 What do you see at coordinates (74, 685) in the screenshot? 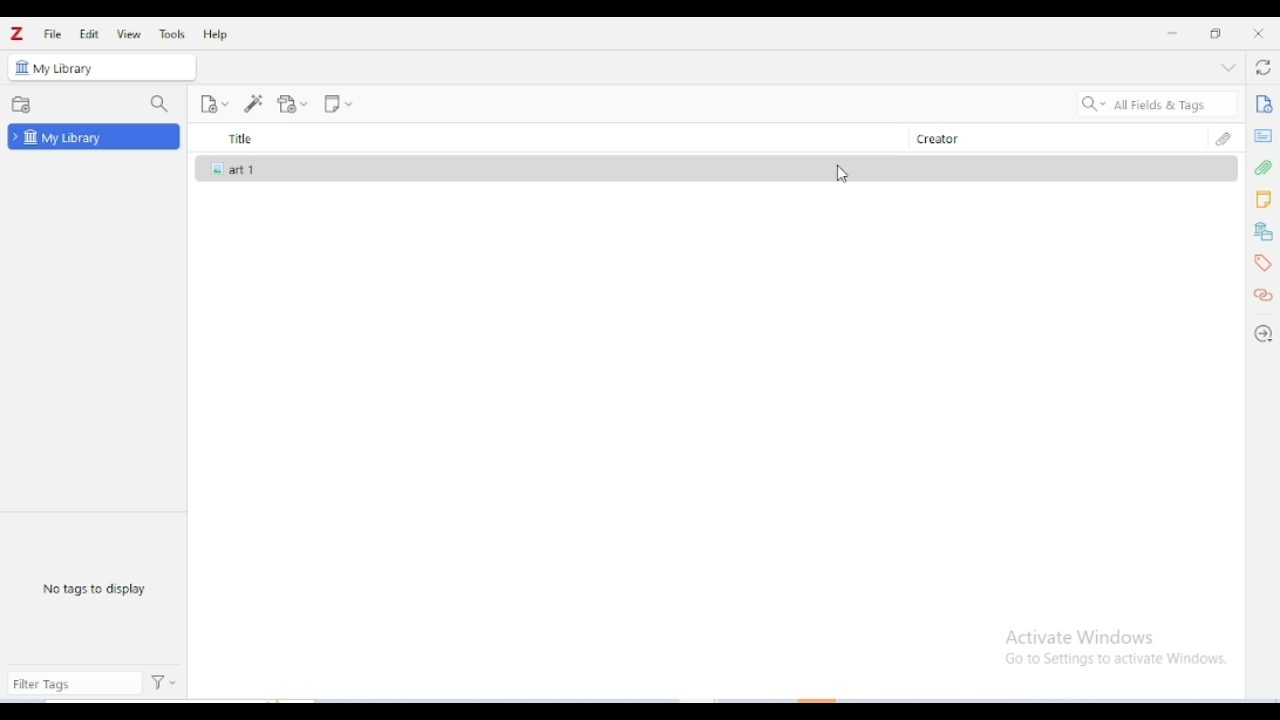
I see `filter tags` at bounding box center [74, 685].